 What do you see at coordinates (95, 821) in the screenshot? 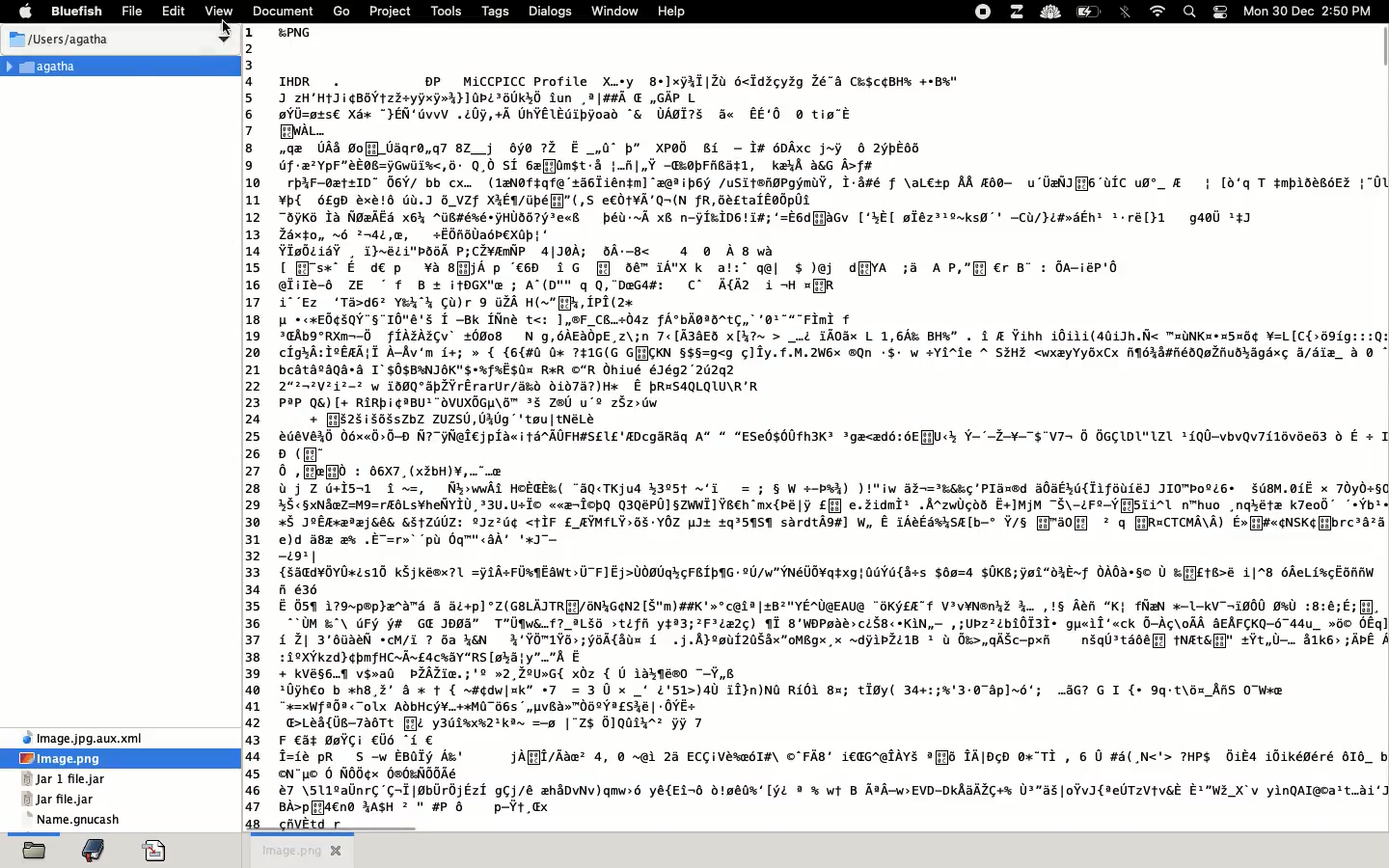
I see `name gnucash` at bounding box center [95, 821].